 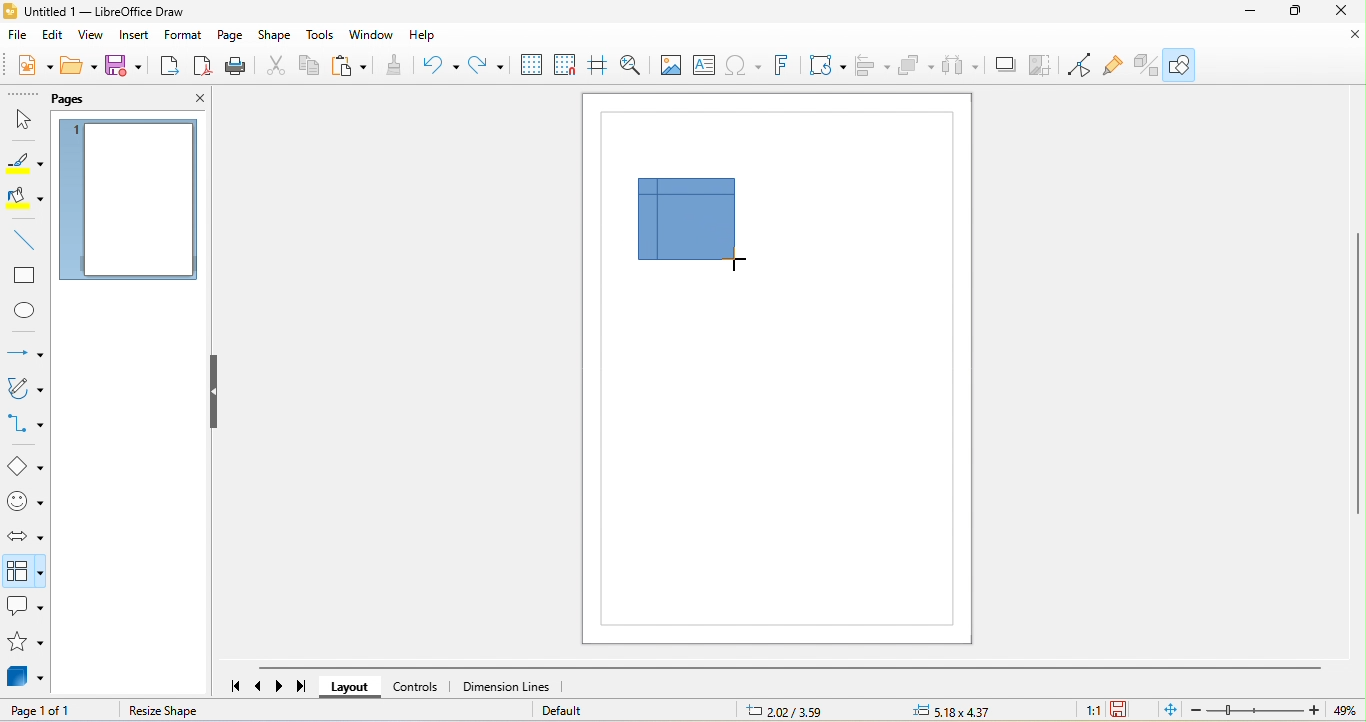 What do you see at coordinates (1298, 14) in the screenshot?
I see `maximize` at bounding box center [1298, 14].